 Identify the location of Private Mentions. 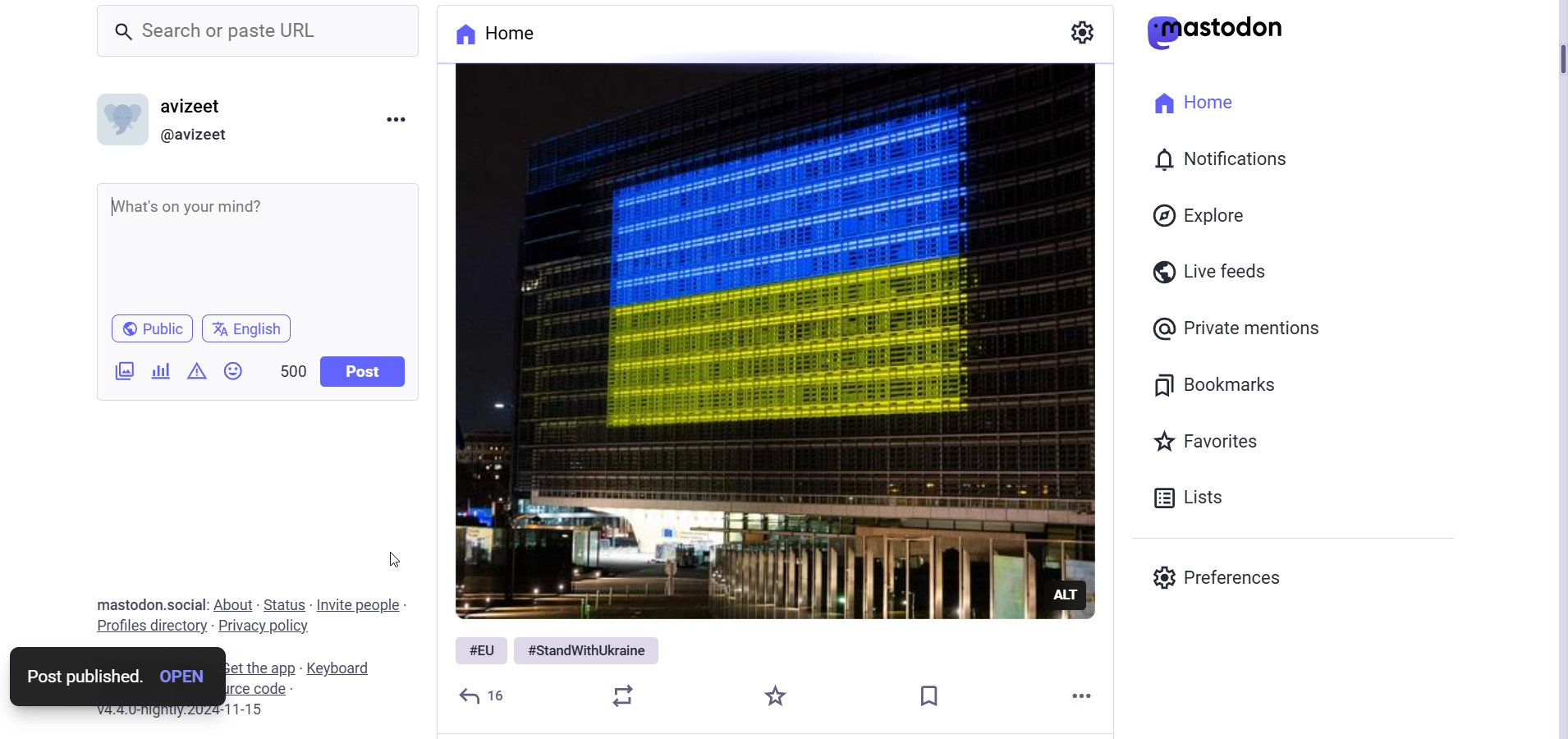
(1243, 328).